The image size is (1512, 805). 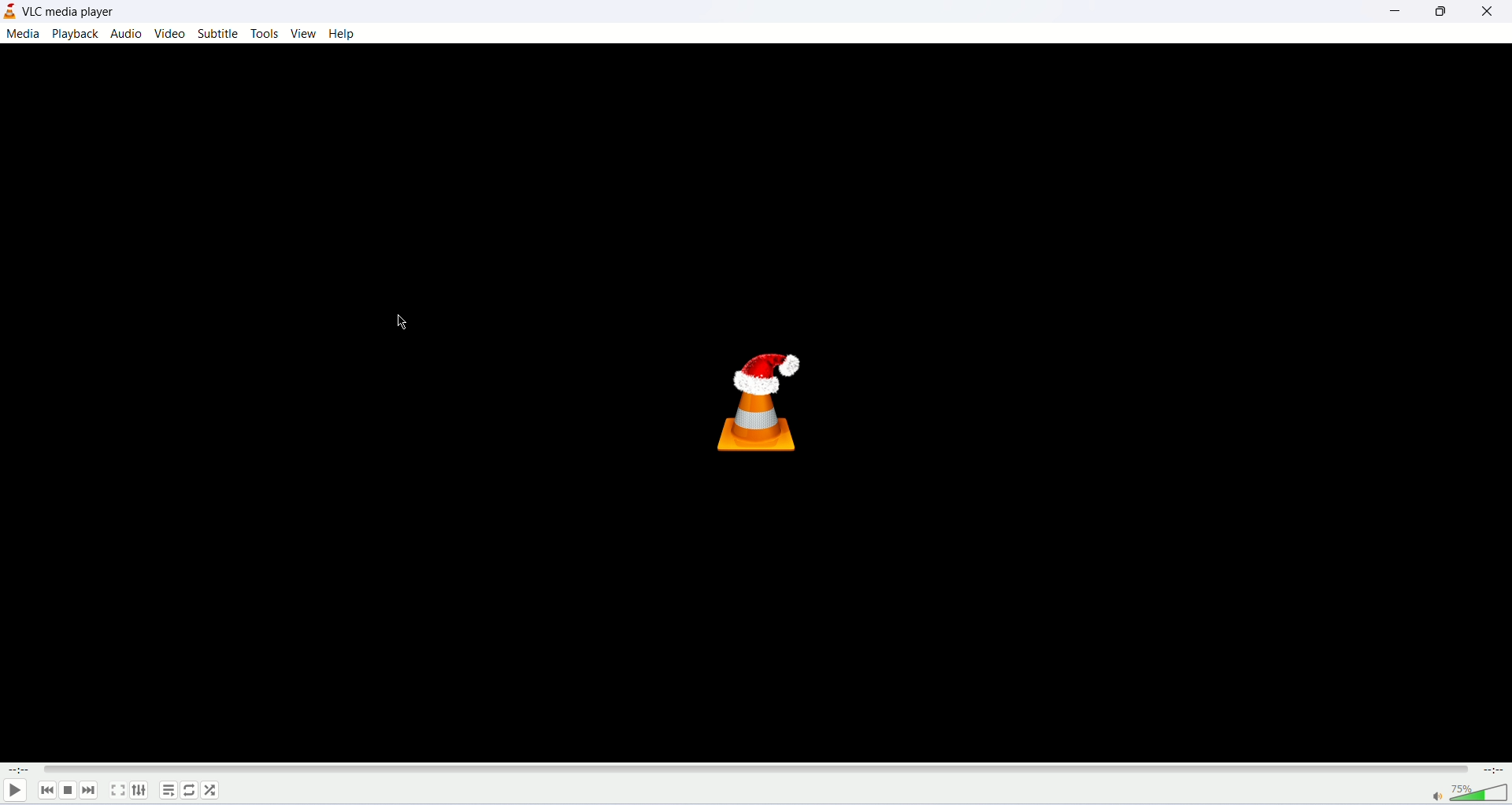 I want to click on playback, so click(x=74, y=34).